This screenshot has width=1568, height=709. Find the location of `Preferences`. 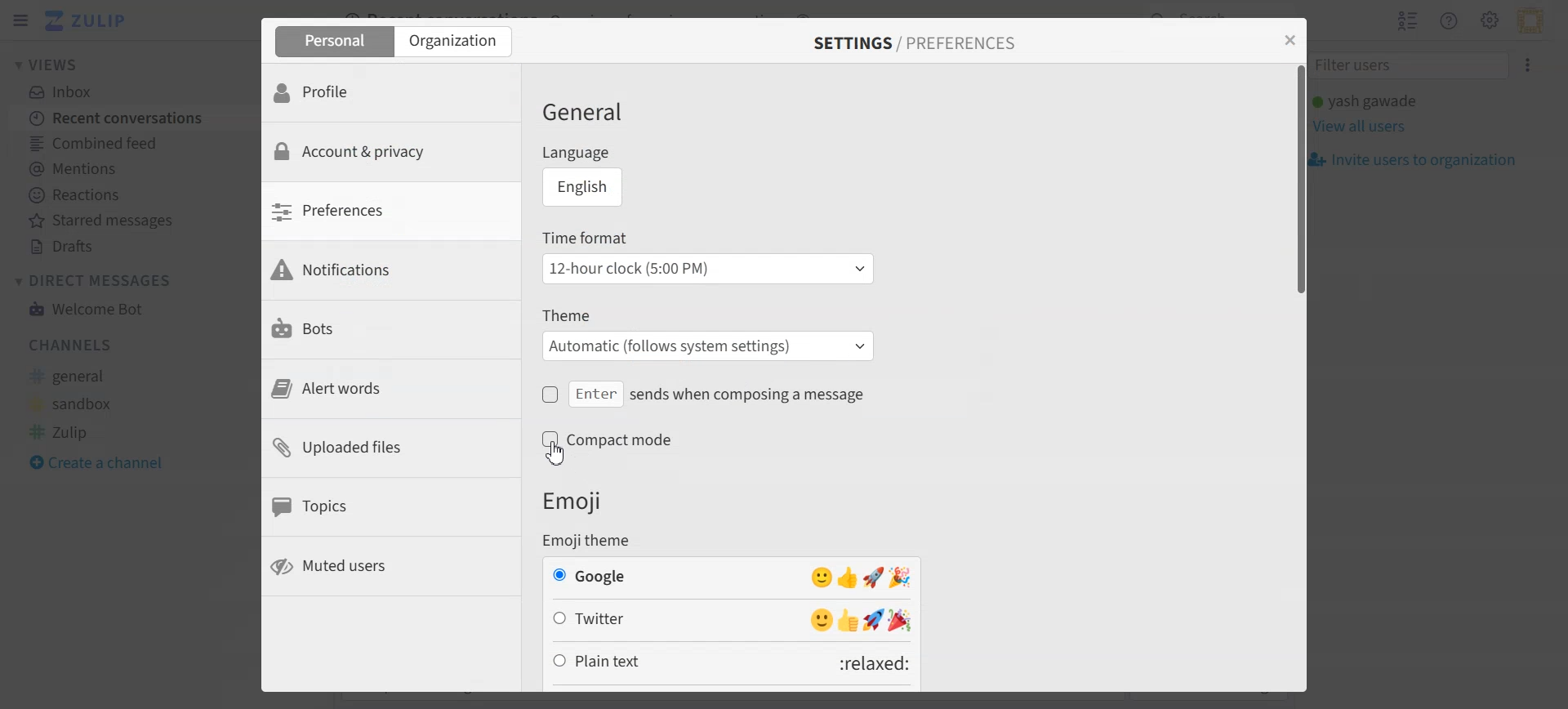

Preferences is located at coordinates (390, 211).